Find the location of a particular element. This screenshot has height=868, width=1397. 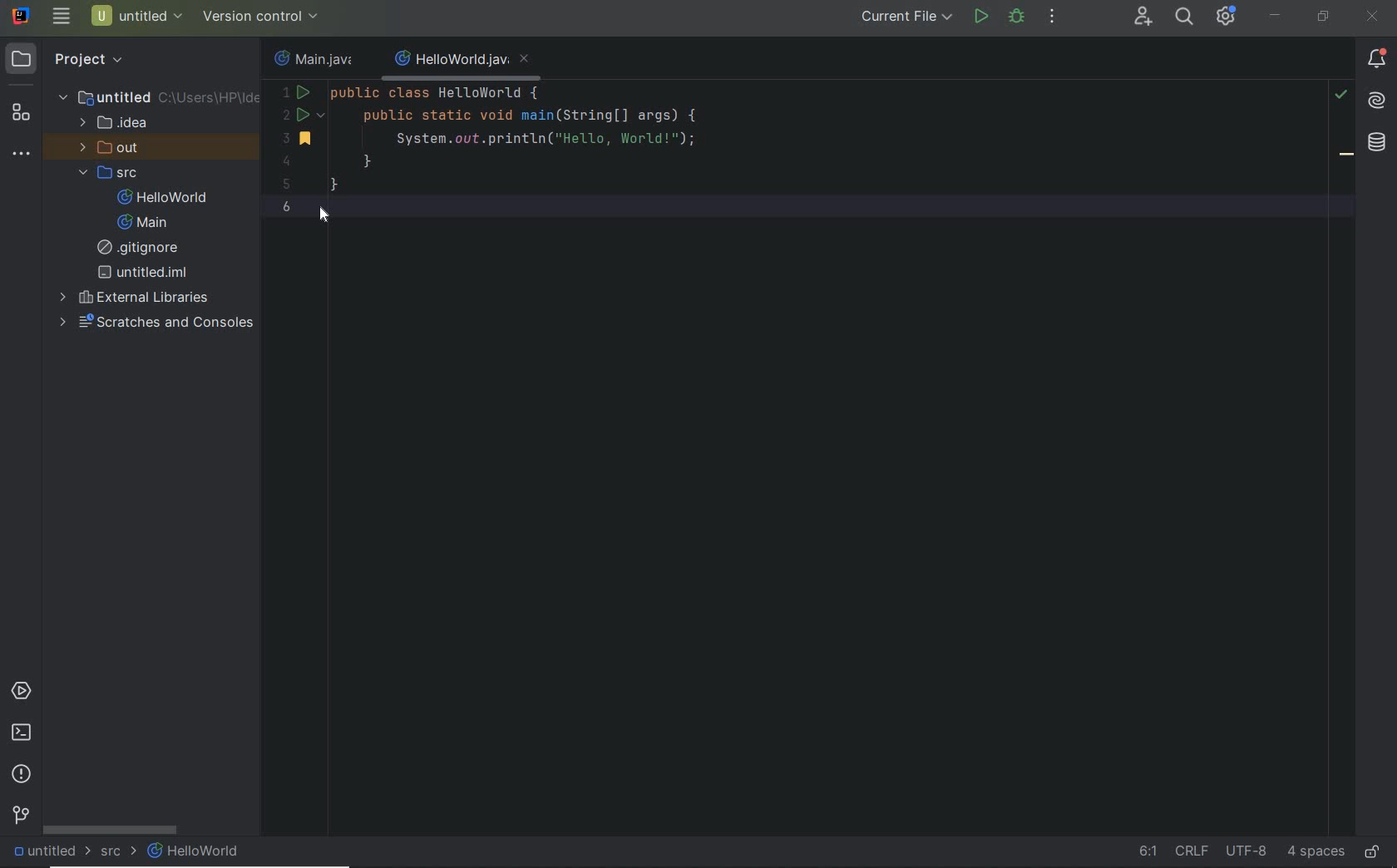

Notifications is located at coordinates (1377, 60).